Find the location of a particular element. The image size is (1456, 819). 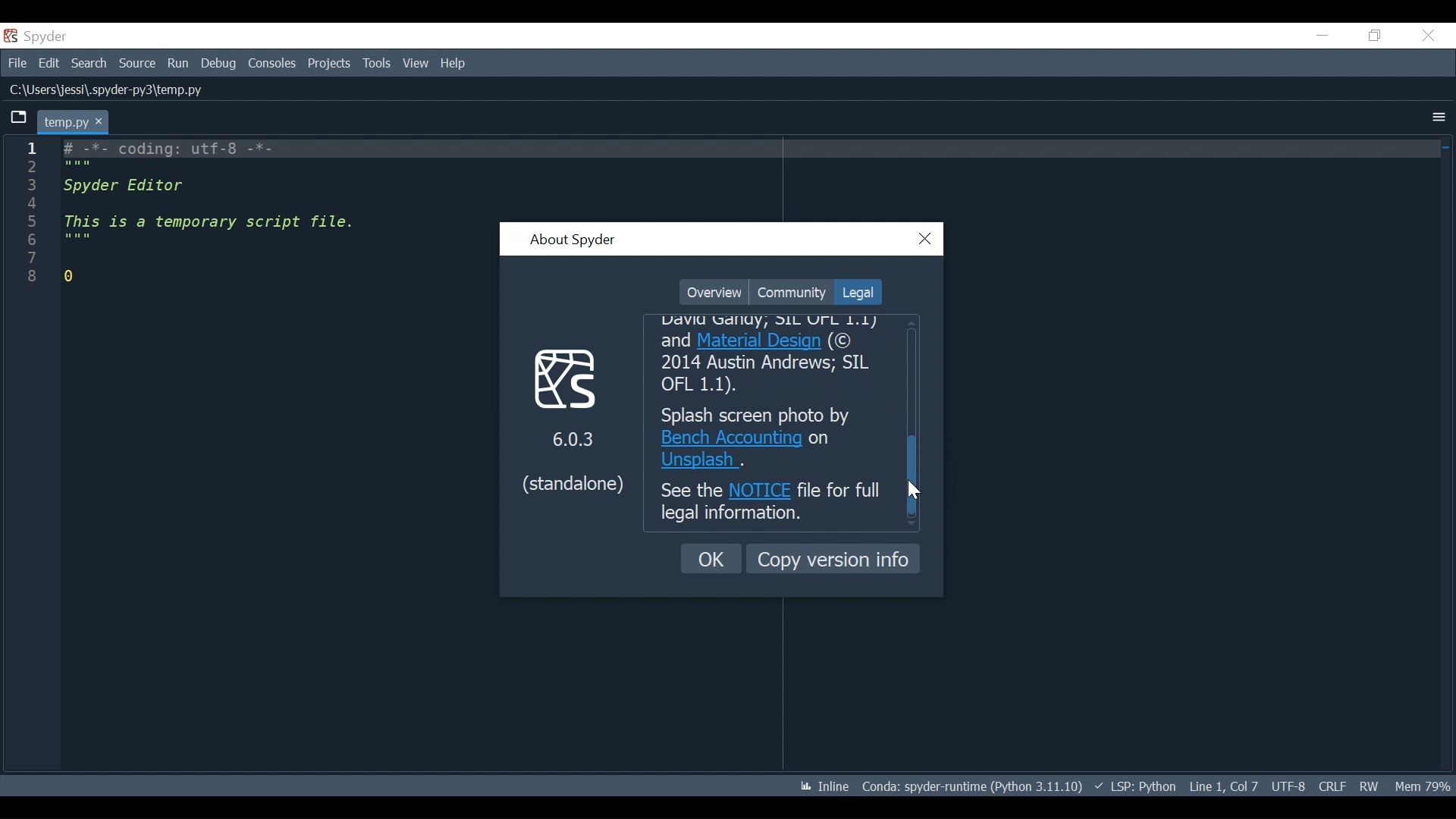

Close is located at coordinates (926, 240).